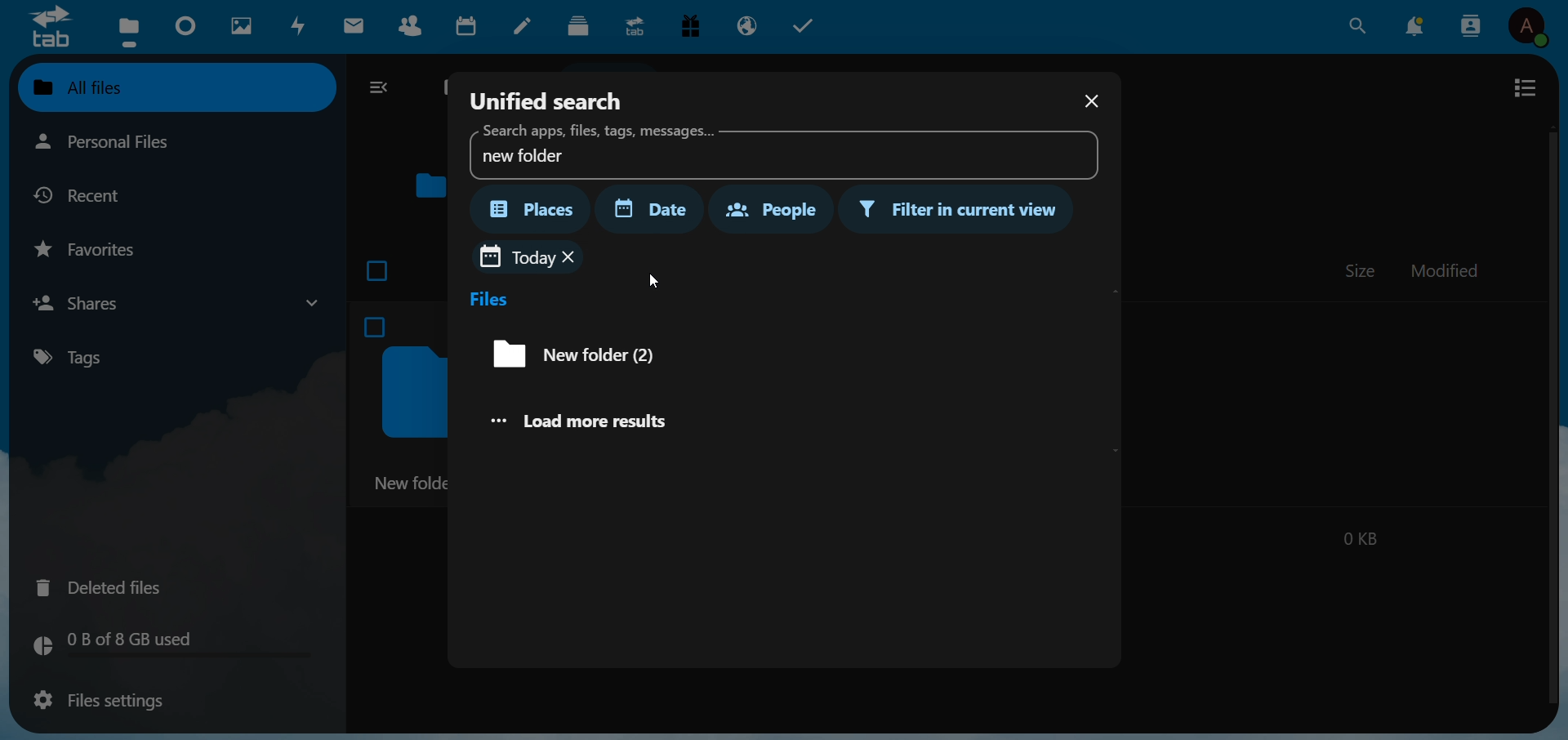 Image resolution: width=1568 pixels, height=740 pixels. What do you see at coordinates (415, 395) in the screenshot?
I see `folder icon` at bounding box center [415, 395].